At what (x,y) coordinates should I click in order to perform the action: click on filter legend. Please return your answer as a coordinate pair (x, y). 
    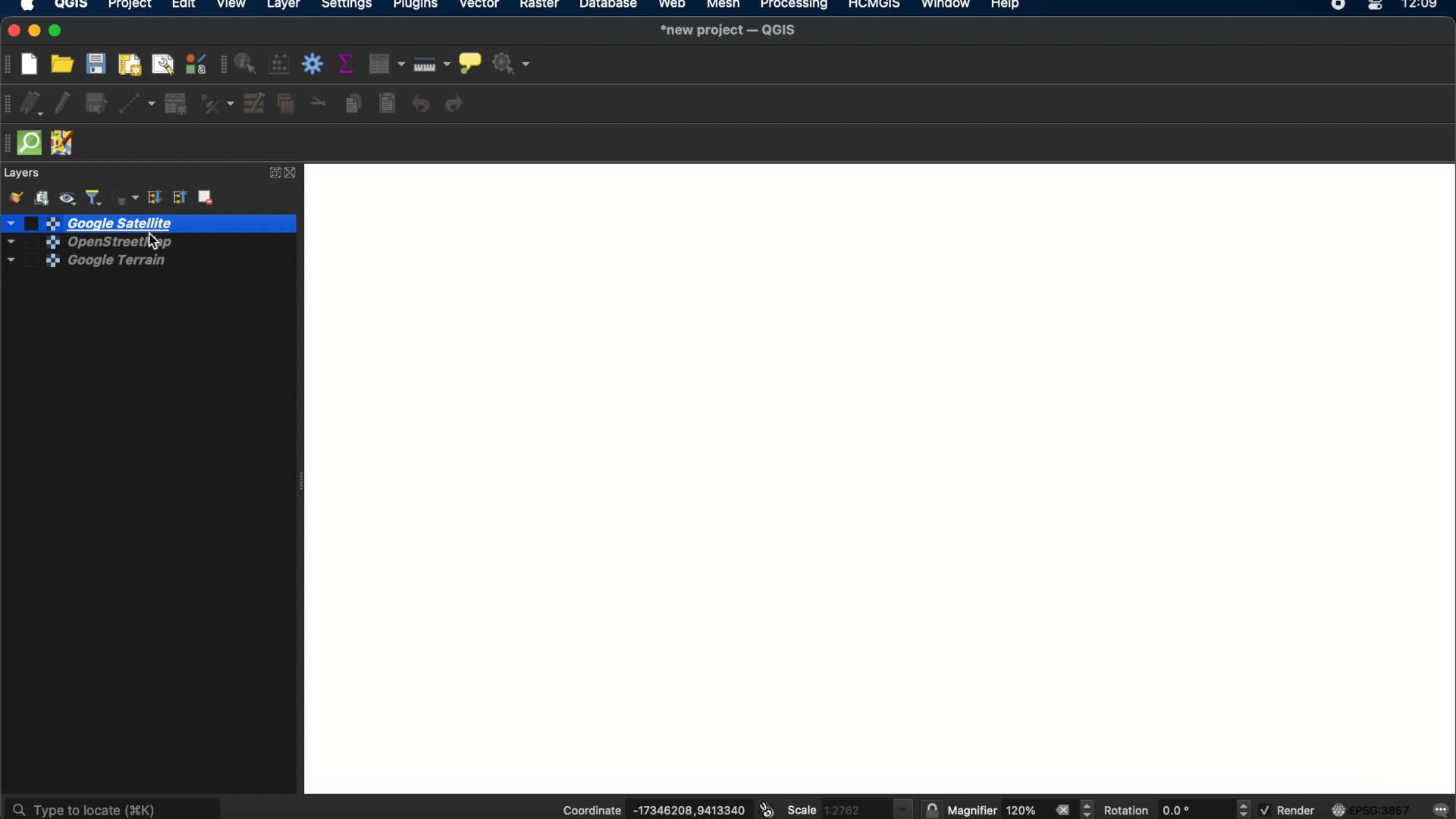
    Looking at the image, I should click on (95, 196).